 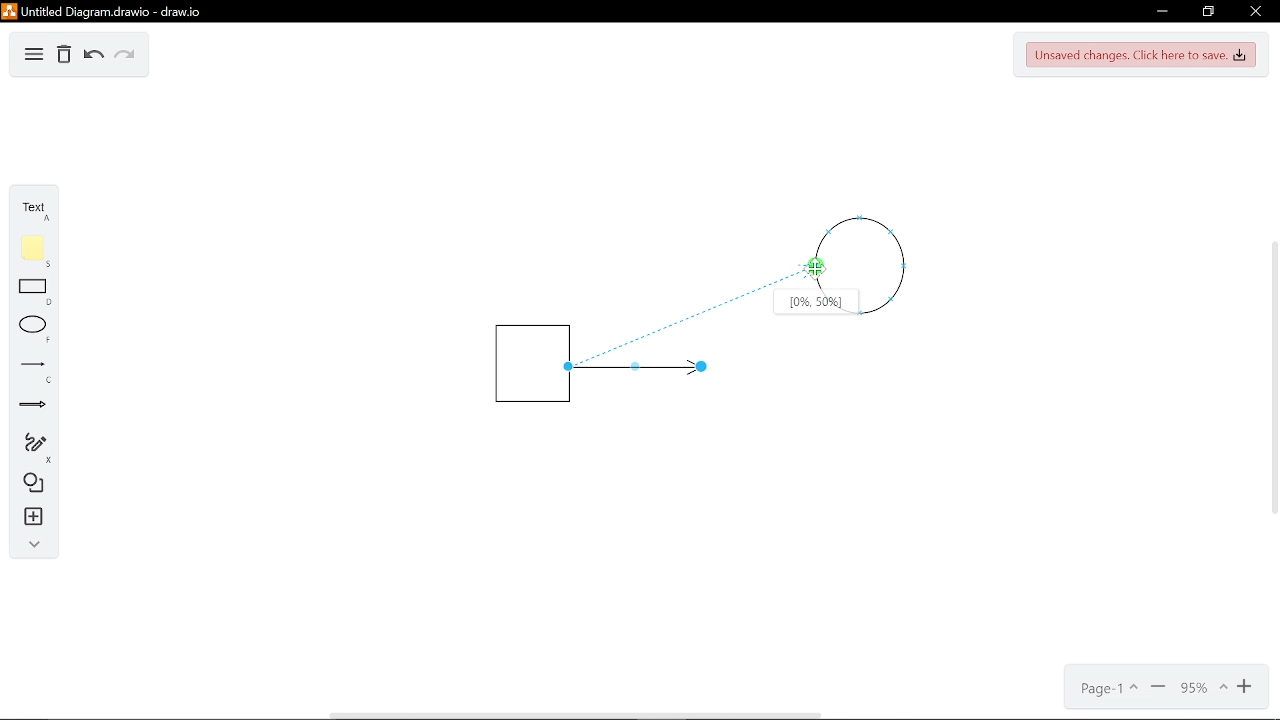 What do you see at coordinates (1206, 12) in the screenshot?
I see `restore down` at bounding box center [1206, 12].